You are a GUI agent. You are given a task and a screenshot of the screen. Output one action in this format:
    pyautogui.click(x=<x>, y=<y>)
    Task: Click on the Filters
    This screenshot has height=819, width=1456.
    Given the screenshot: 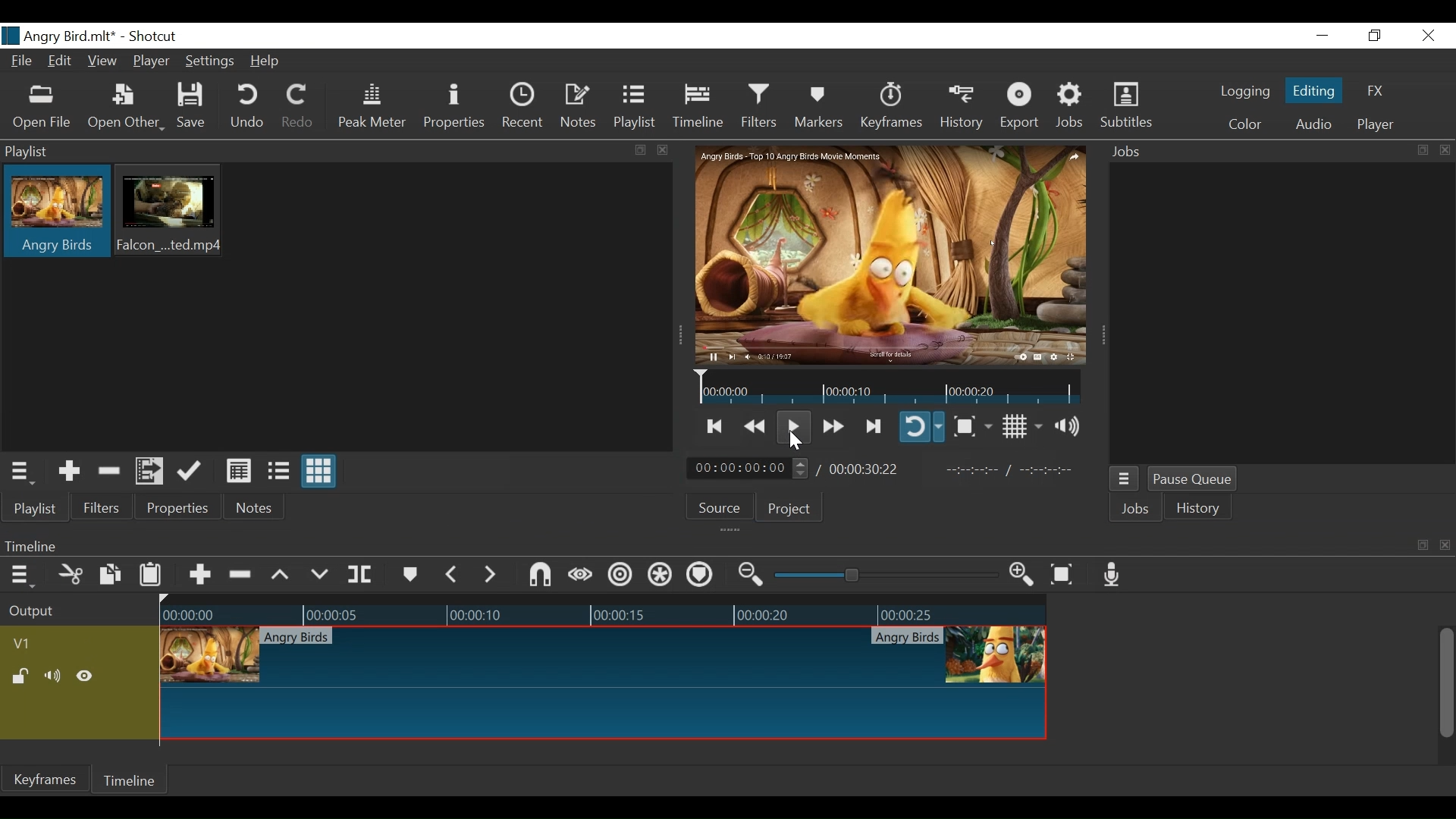 What is the action you would take?
    pyautogui.click(x=757, y=108)
    